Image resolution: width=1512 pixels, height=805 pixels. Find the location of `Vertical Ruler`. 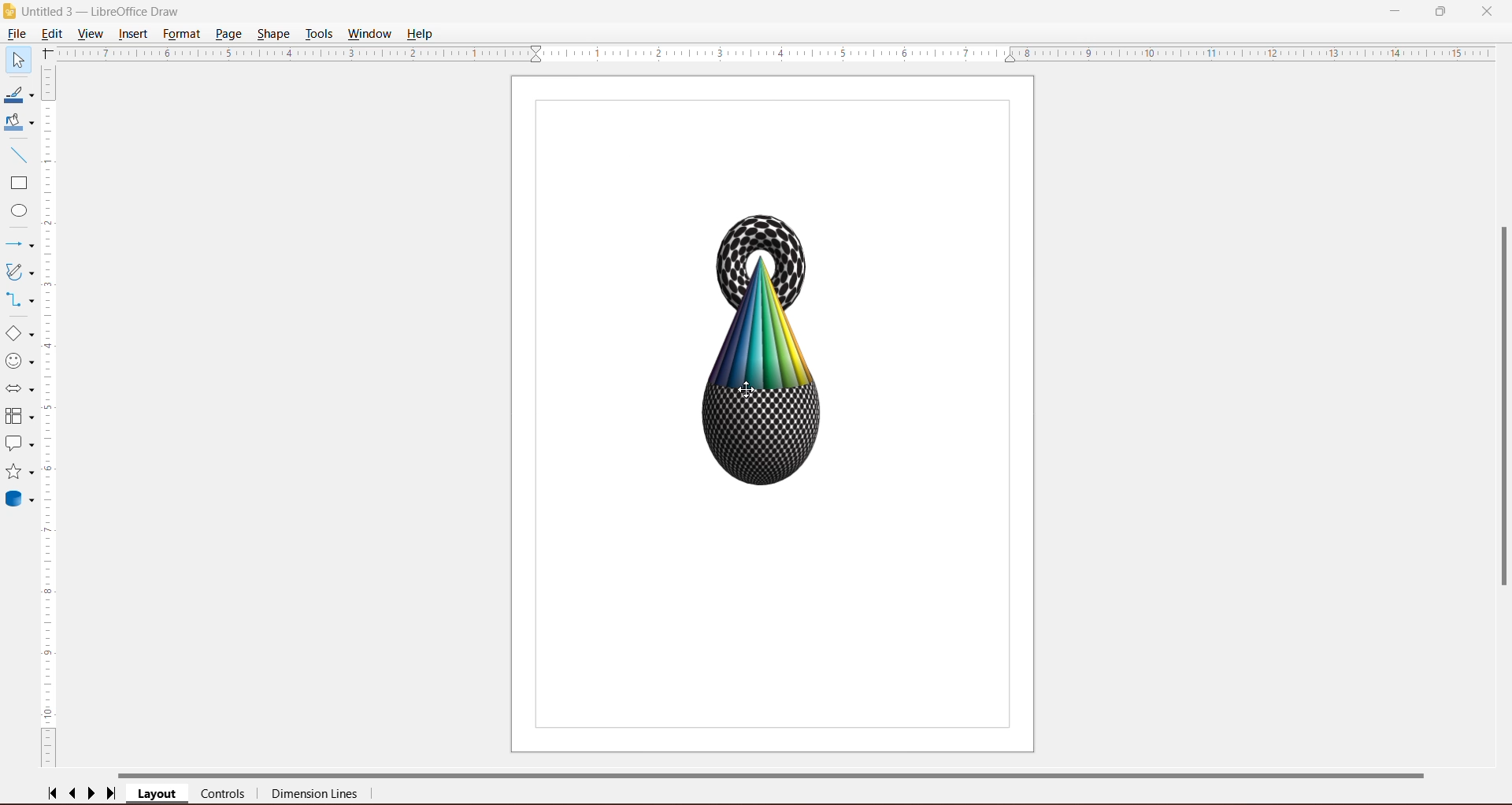

Vertical Ruler is located at coordinates (50, 418).